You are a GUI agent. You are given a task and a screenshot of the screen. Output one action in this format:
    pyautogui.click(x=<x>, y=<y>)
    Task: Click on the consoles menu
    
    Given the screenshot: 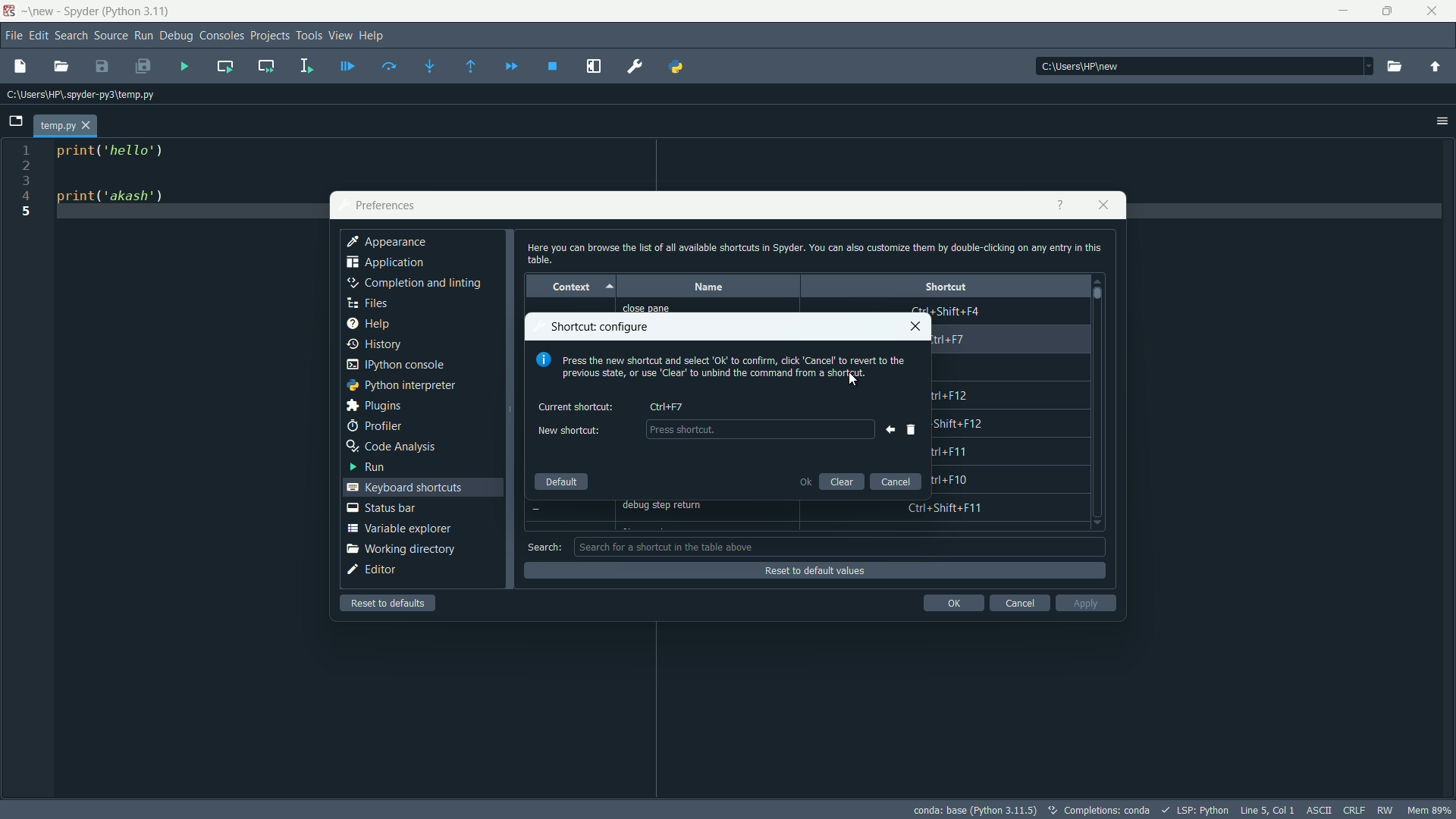 What is the action you would take?
    pyautogui.click(x=222, y=36)
    